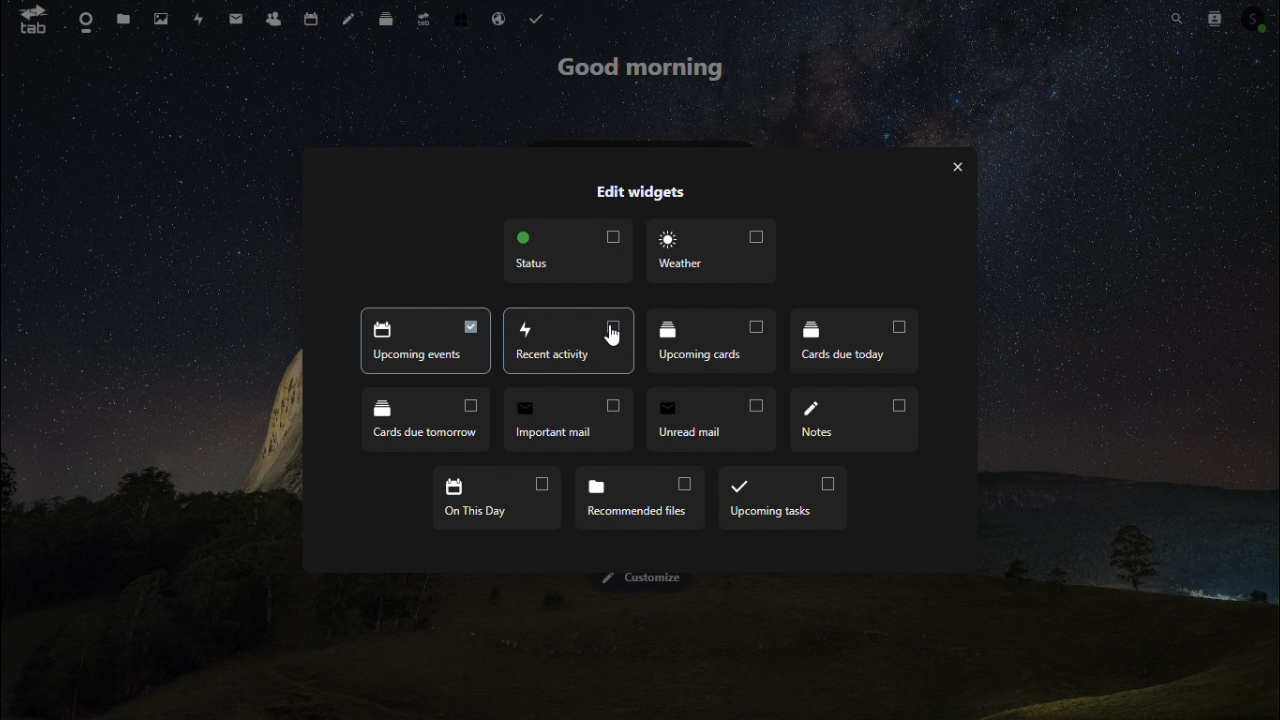 The image size is (1280, 720). Describe the element at coordinates (240, 16) in the screenshot. I see `mail` at that location.